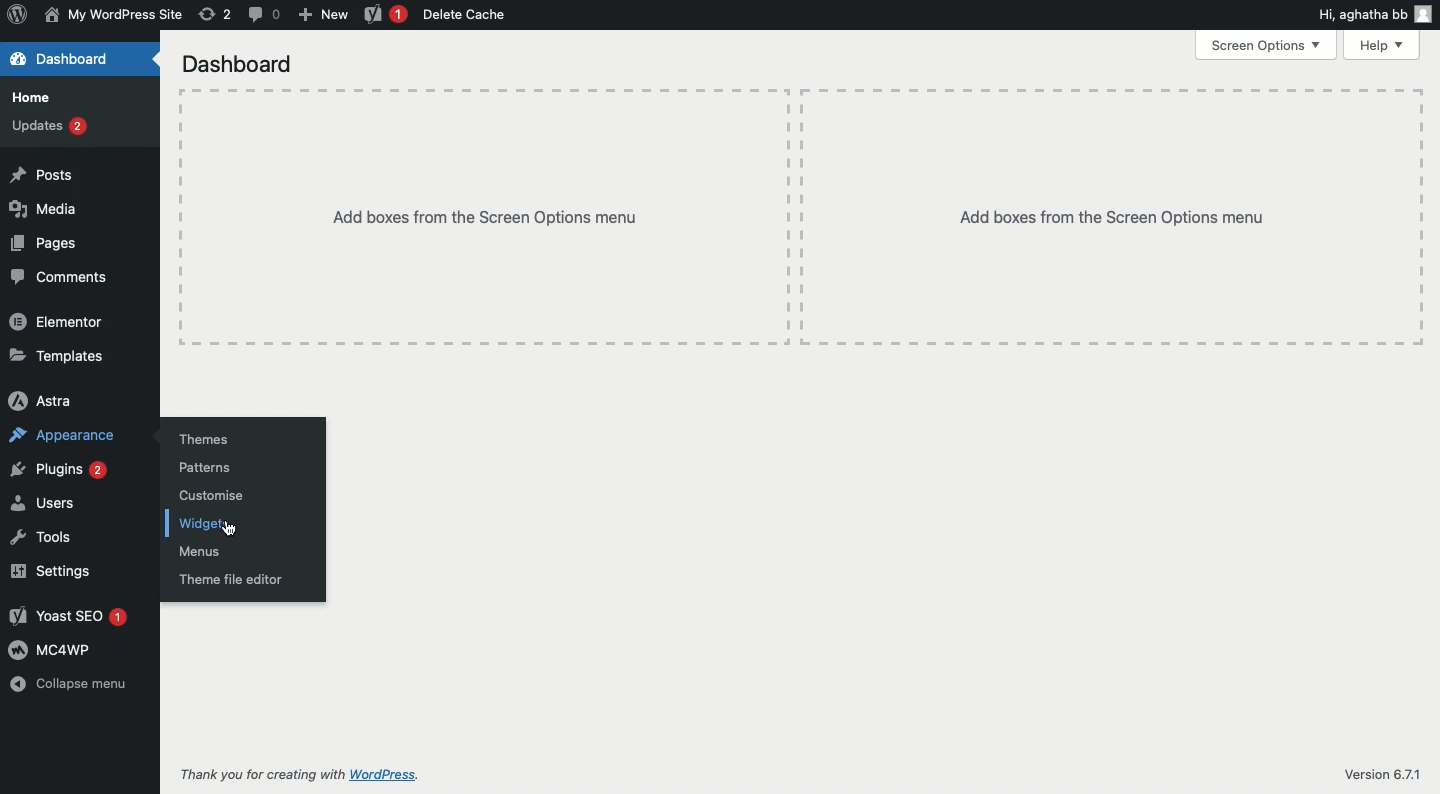 Image resolution: width=1440 pixels, height=794 pixels. Describe the element at coordinates (231, 528) in the screenshot. I see `Cursor` at that location.